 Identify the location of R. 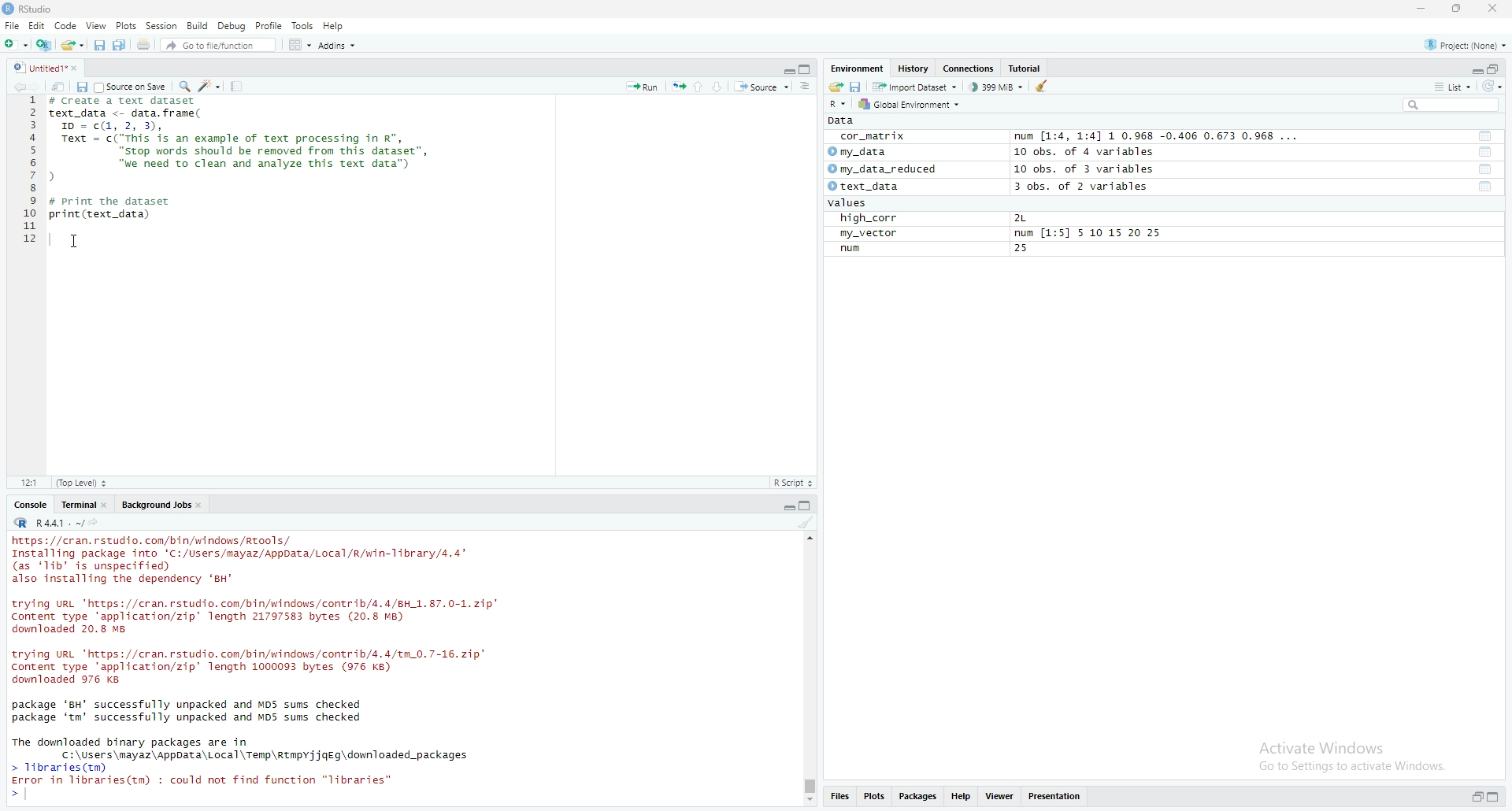
(838, 104).